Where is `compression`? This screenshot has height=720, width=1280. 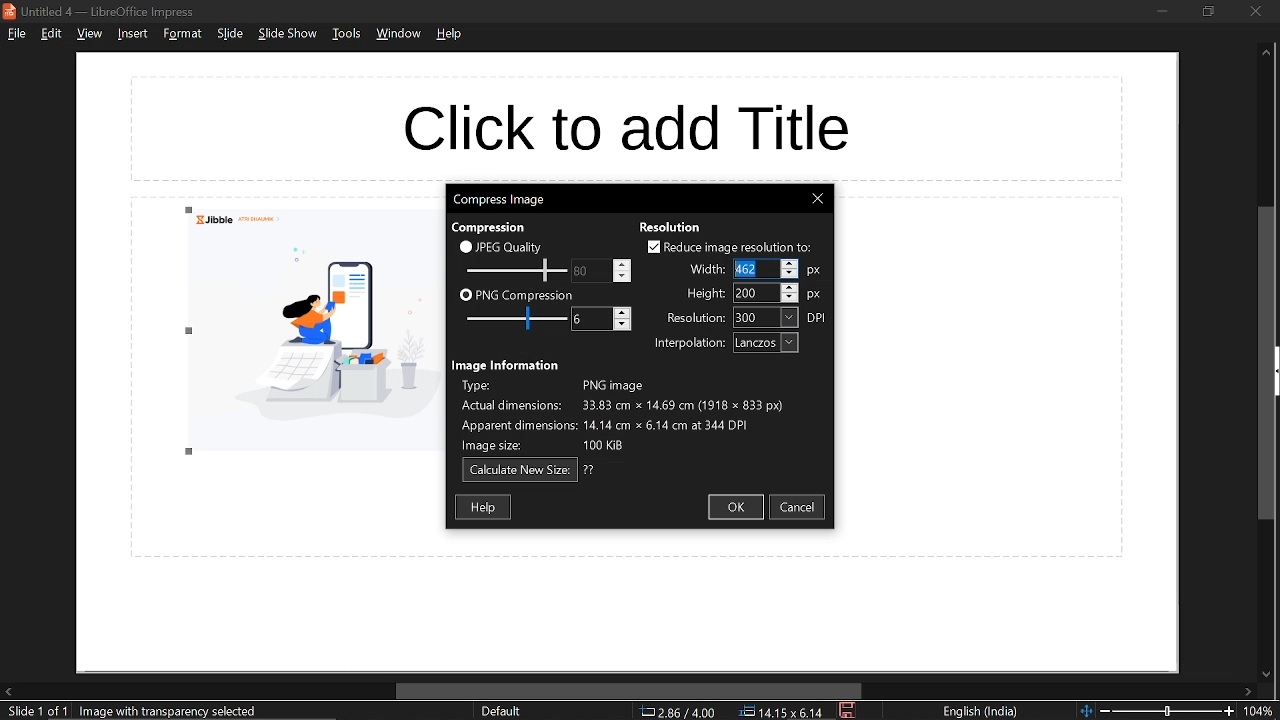 compression is located at coordinates (487, 228).